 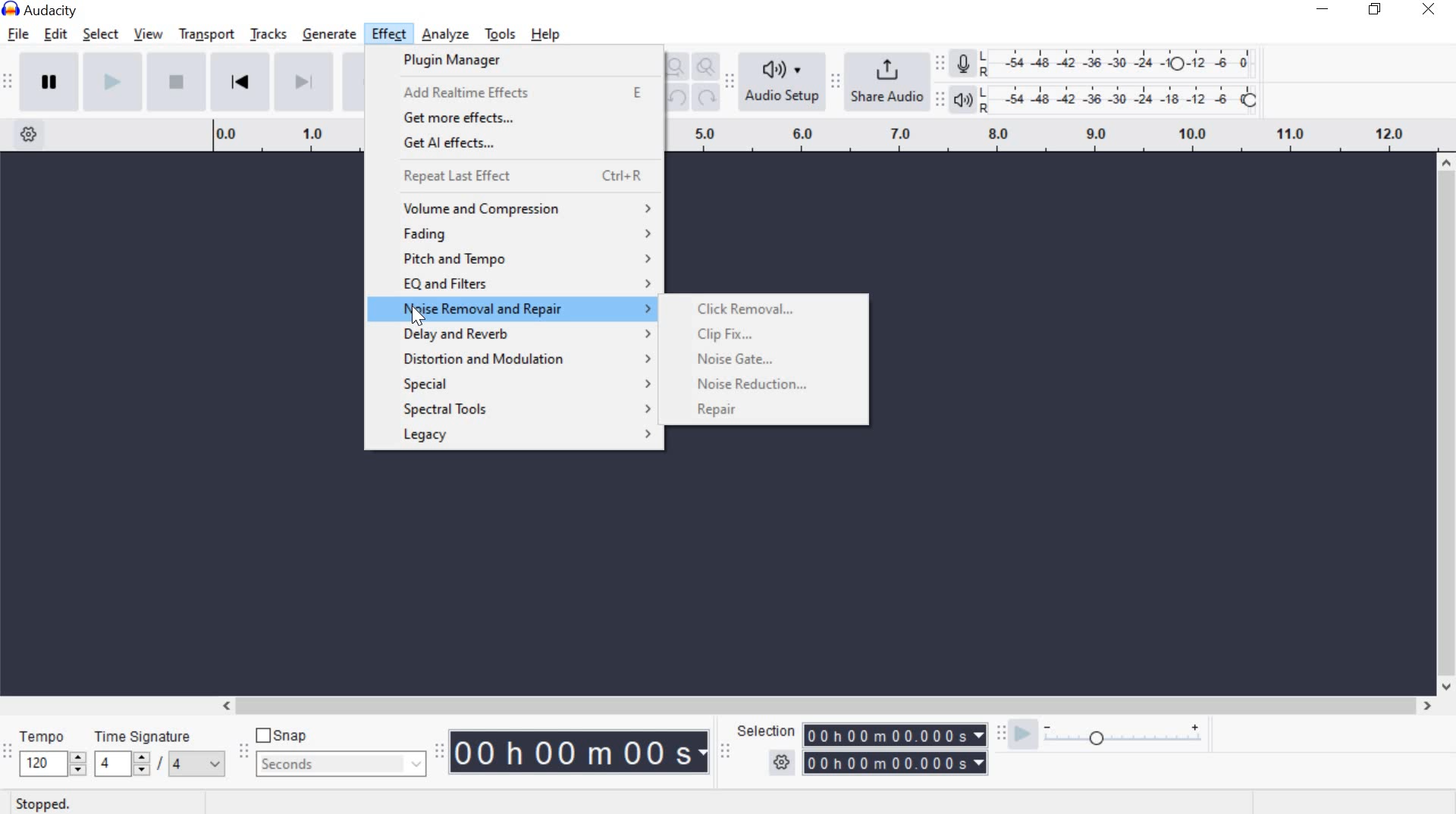 I want to click on eq and filters, so click(x=525, y=284).